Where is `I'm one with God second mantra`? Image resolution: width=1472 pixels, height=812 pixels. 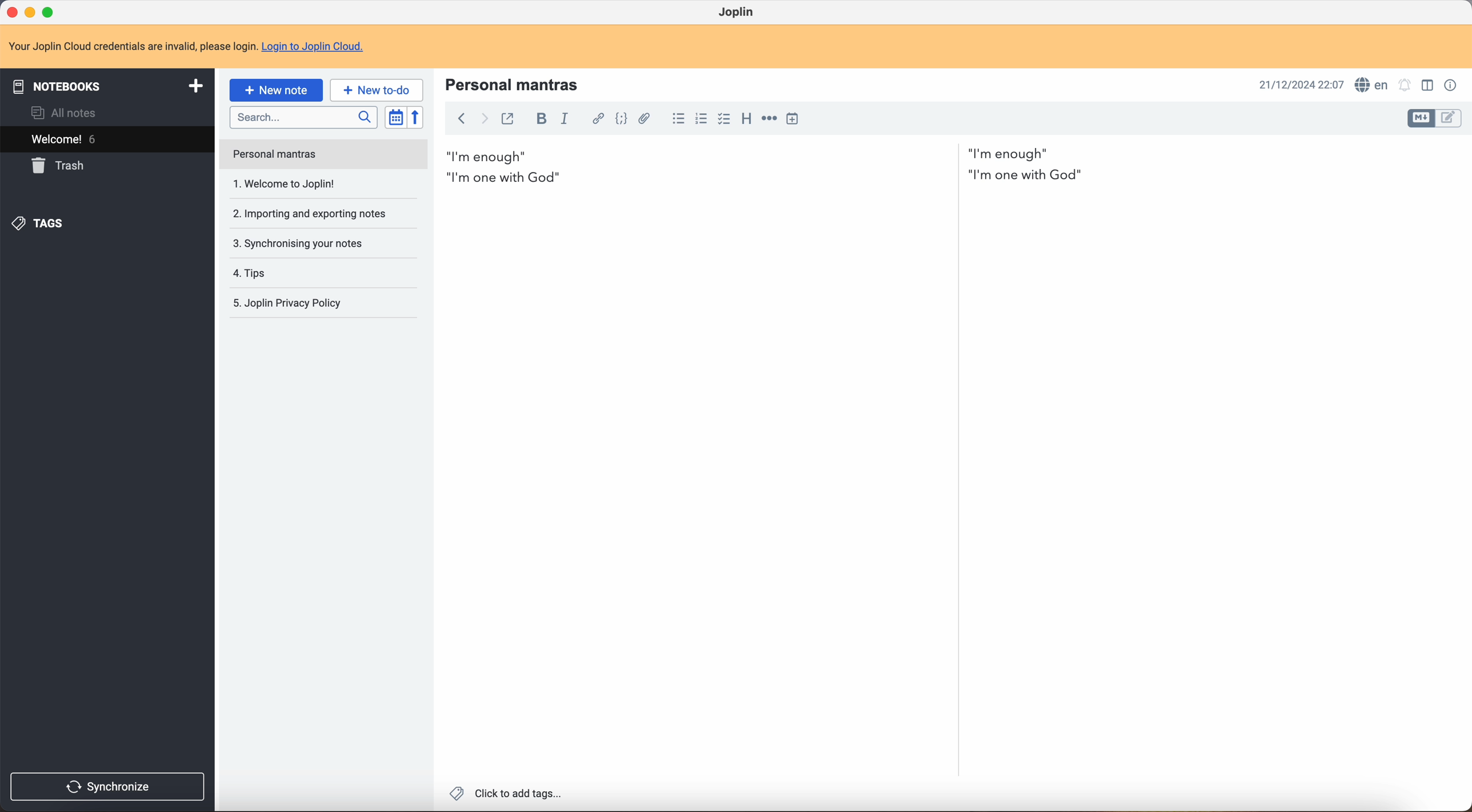
I'm one with God second mantra is located at coordinates (769, 178).